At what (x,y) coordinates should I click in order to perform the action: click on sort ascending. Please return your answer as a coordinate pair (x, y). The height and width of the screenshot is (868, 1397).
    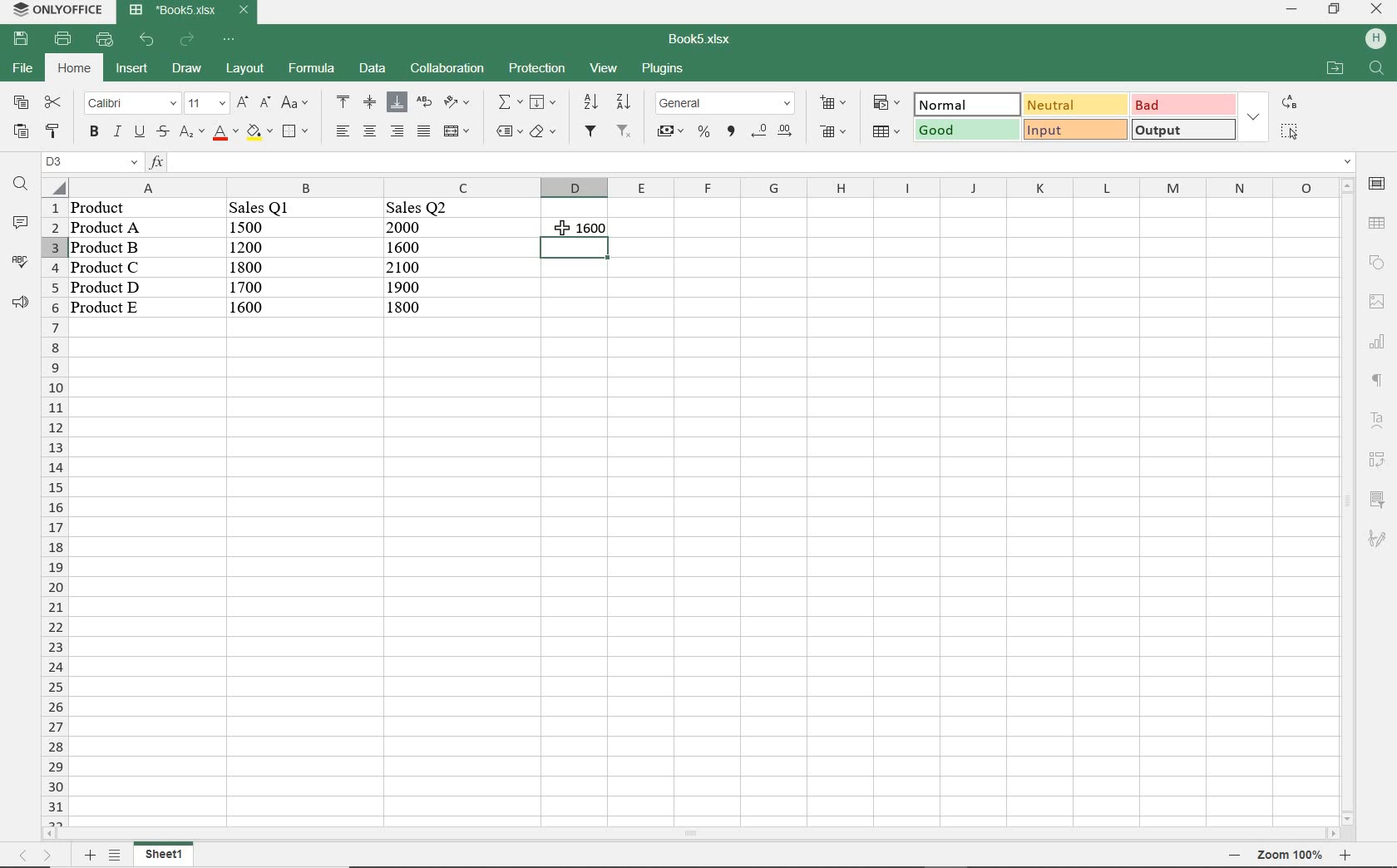
    Looking at the image, I should click on (590, 102).